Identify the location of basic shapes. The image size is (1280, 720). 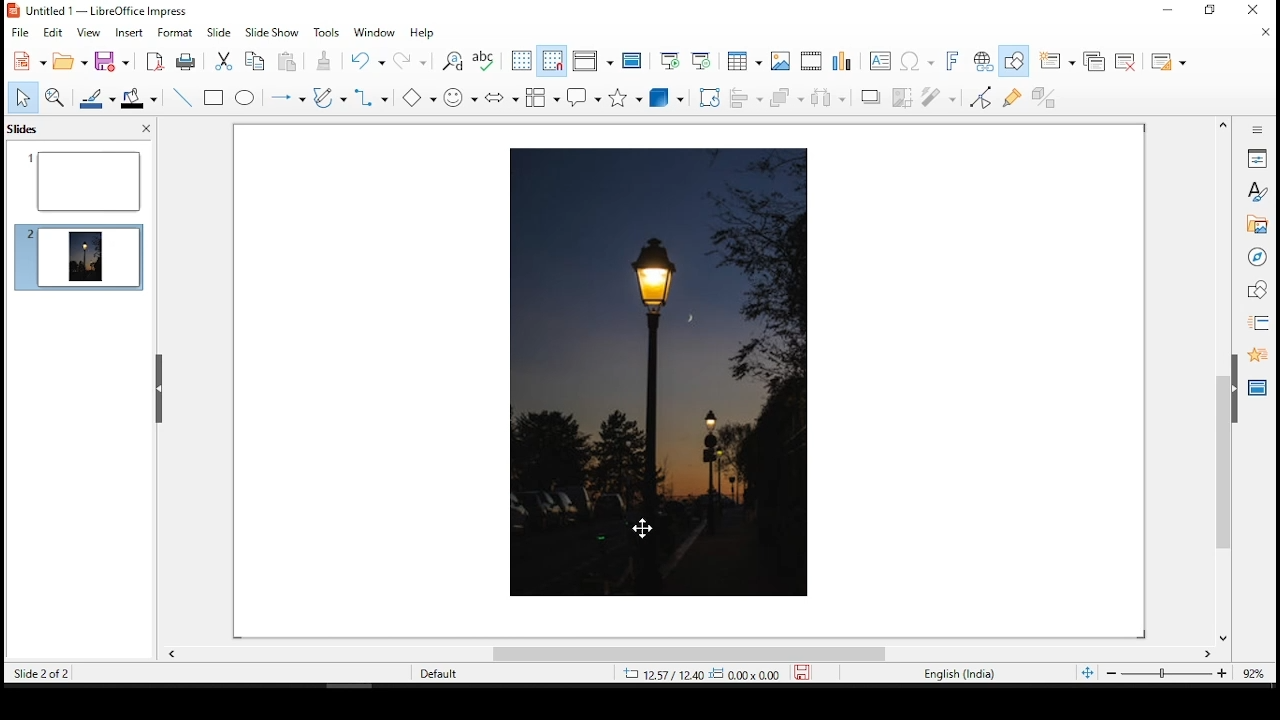
(417, 97).